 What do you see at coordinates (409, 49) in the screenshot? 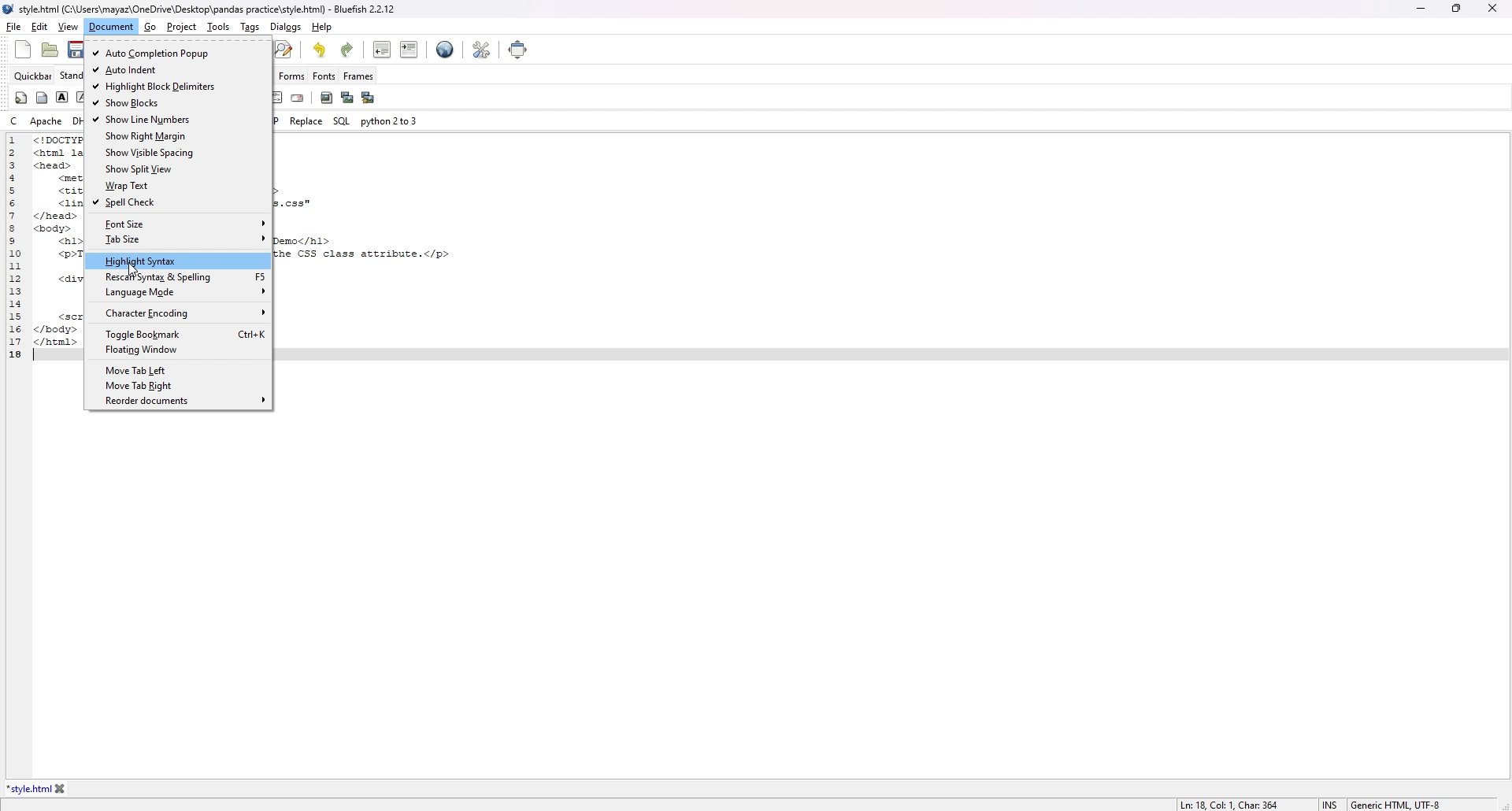
I see `indent` at bounding box center [409, 49].